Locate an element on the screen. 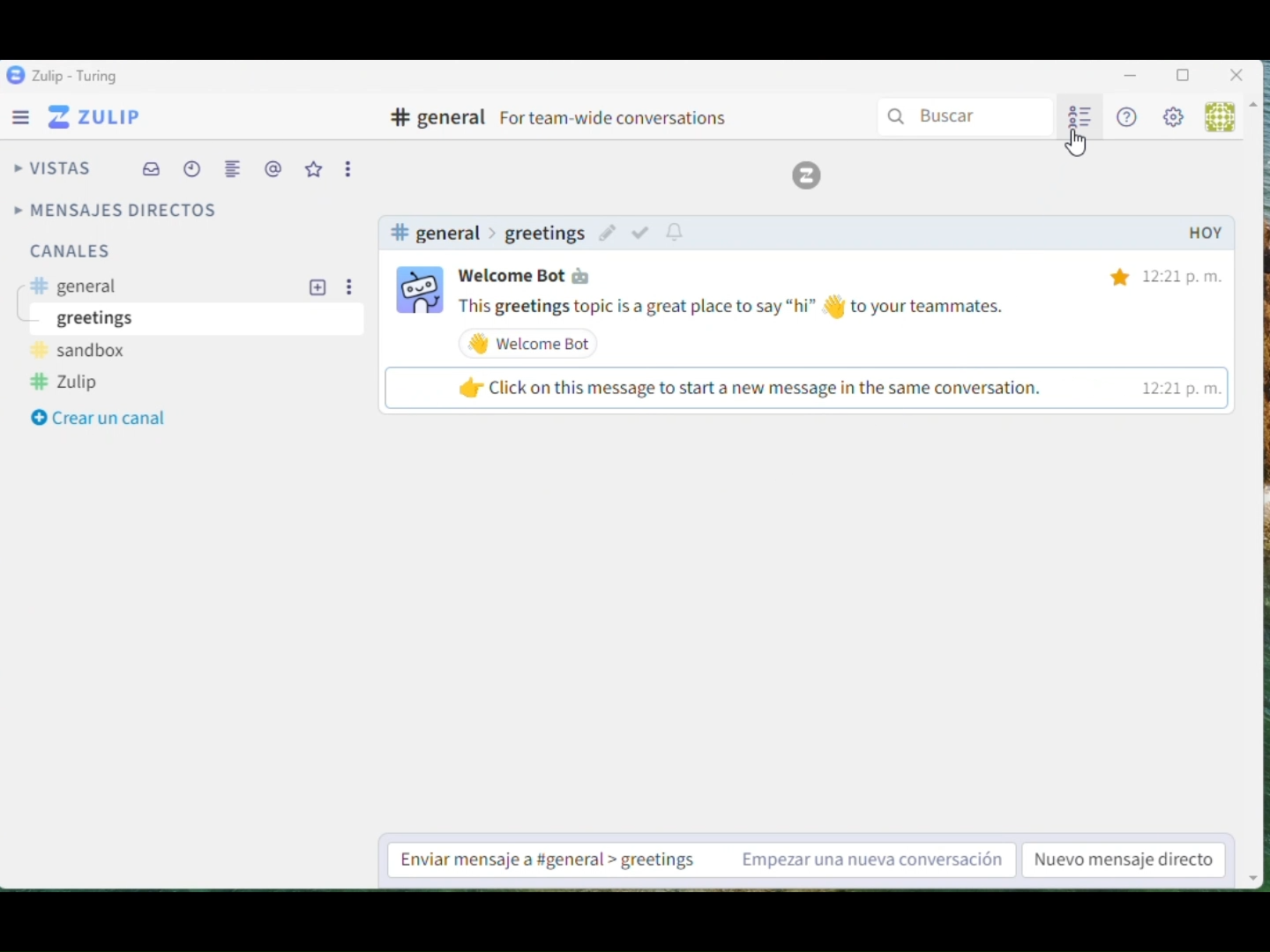  Cursor is located at coordinates (1078, 152).